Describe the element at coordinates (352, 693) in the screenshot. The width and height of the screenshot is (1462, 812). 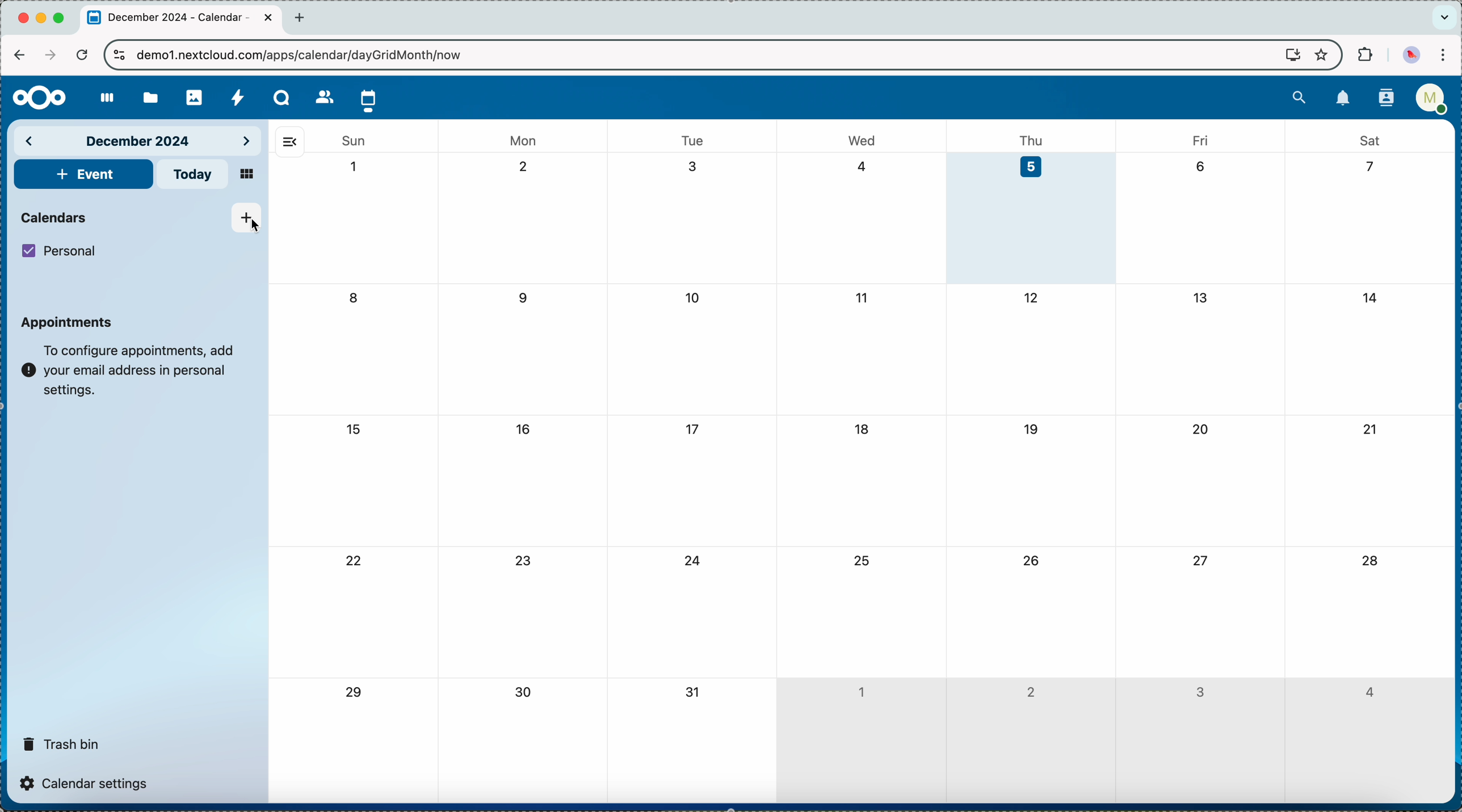
I see `29` at that location.